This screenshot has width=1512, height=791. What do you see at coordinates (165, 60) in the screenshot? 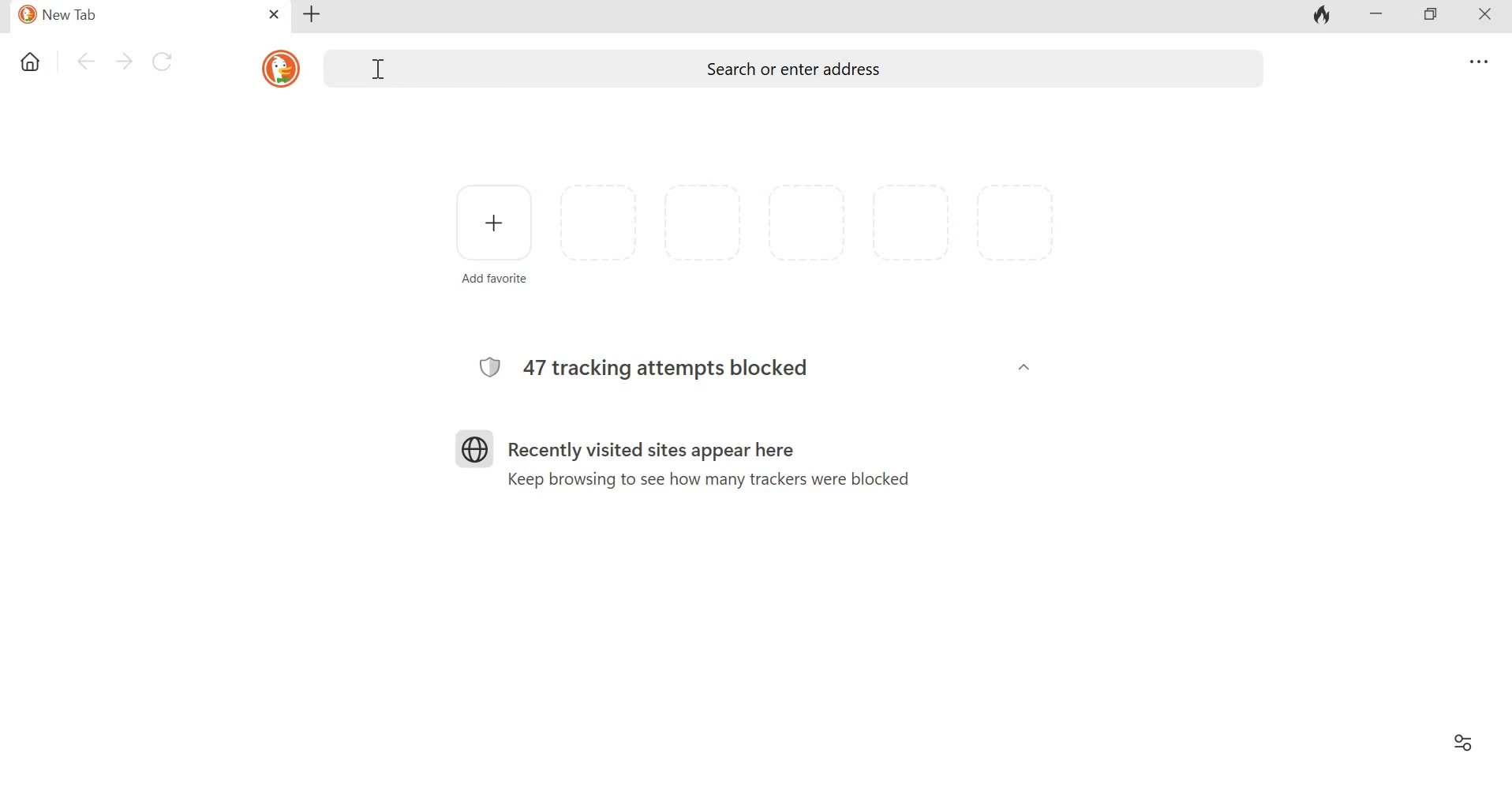
I see `Reload this page` at bounding box center [165, 60].